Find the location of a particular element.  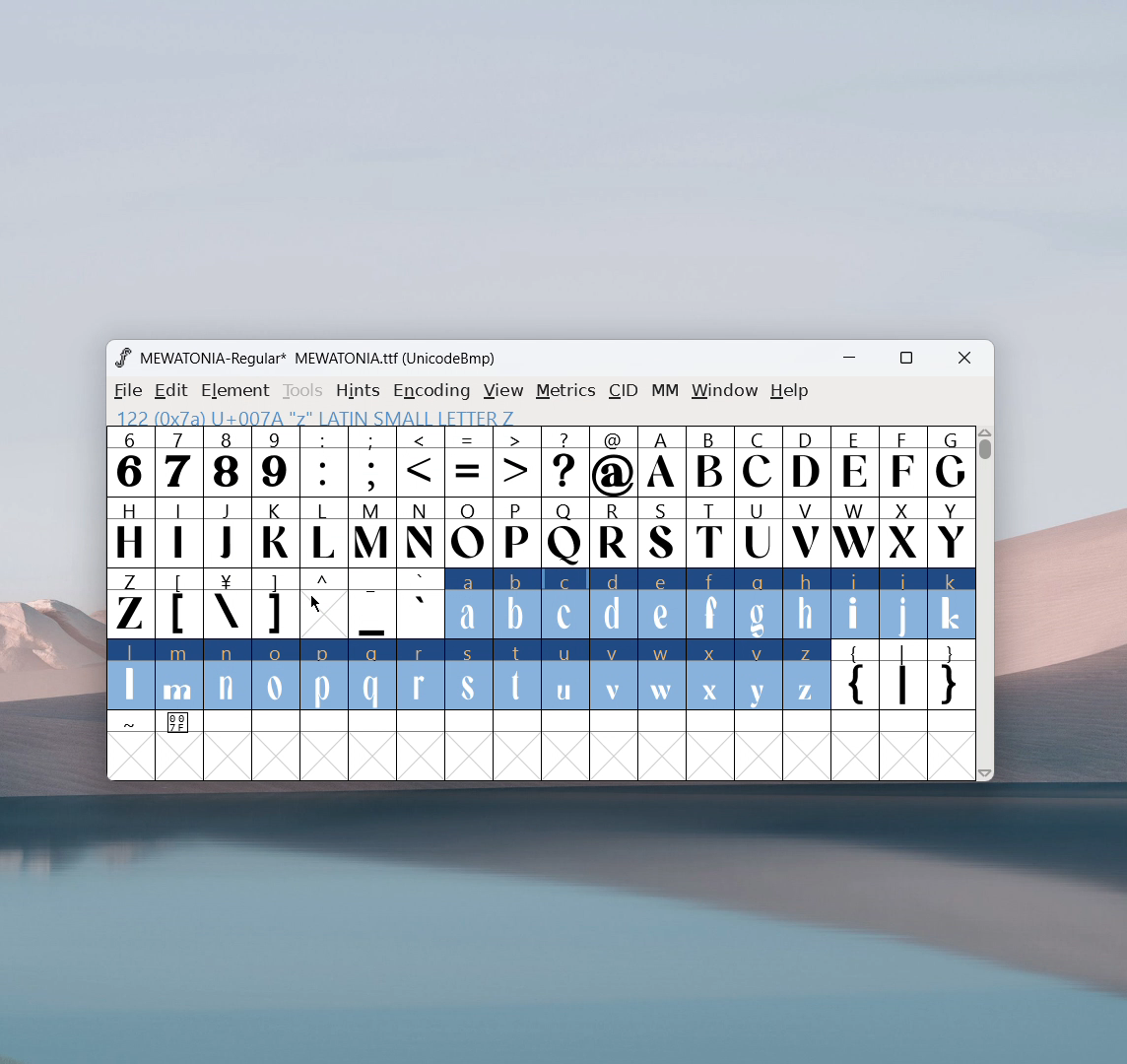

i is located at coordinates (855, 604).